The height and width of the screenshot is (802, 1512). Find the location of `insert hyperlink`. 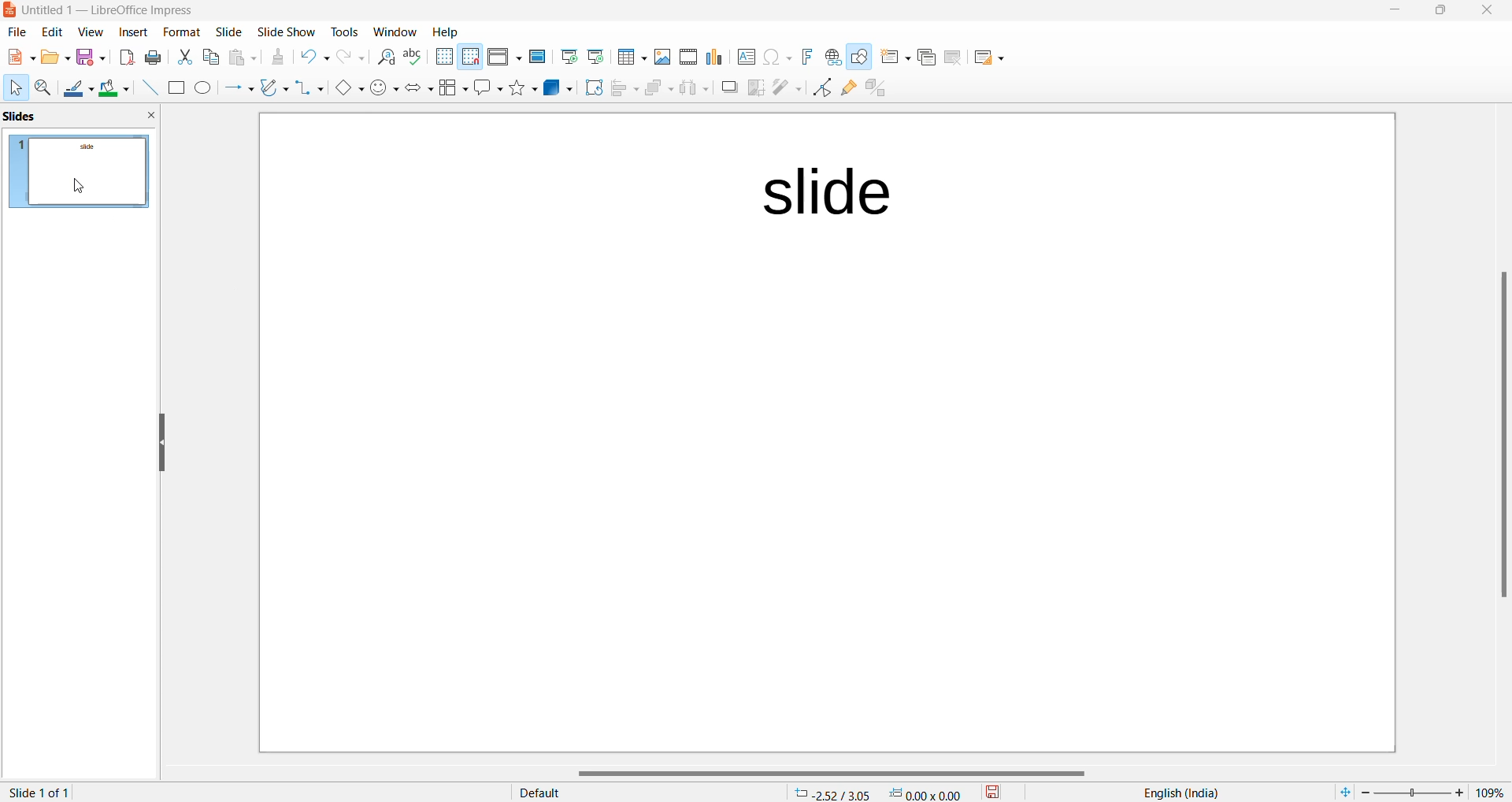

insert hyperlink is located at coordinates (832, 57).